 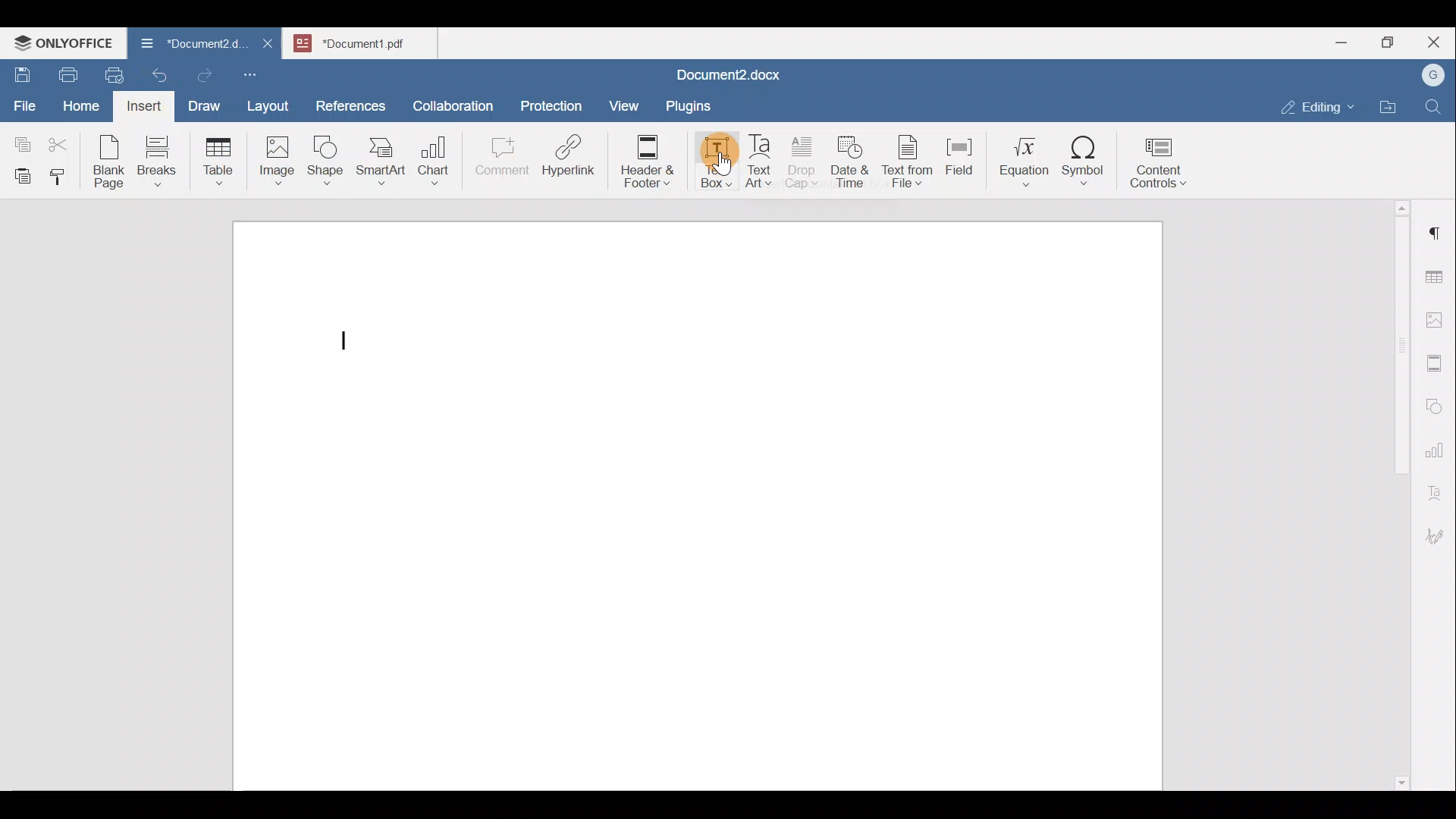 What do you see at coordinates (26, 101) in the screenshot?
I see `File` at bounding box center [26, 101].